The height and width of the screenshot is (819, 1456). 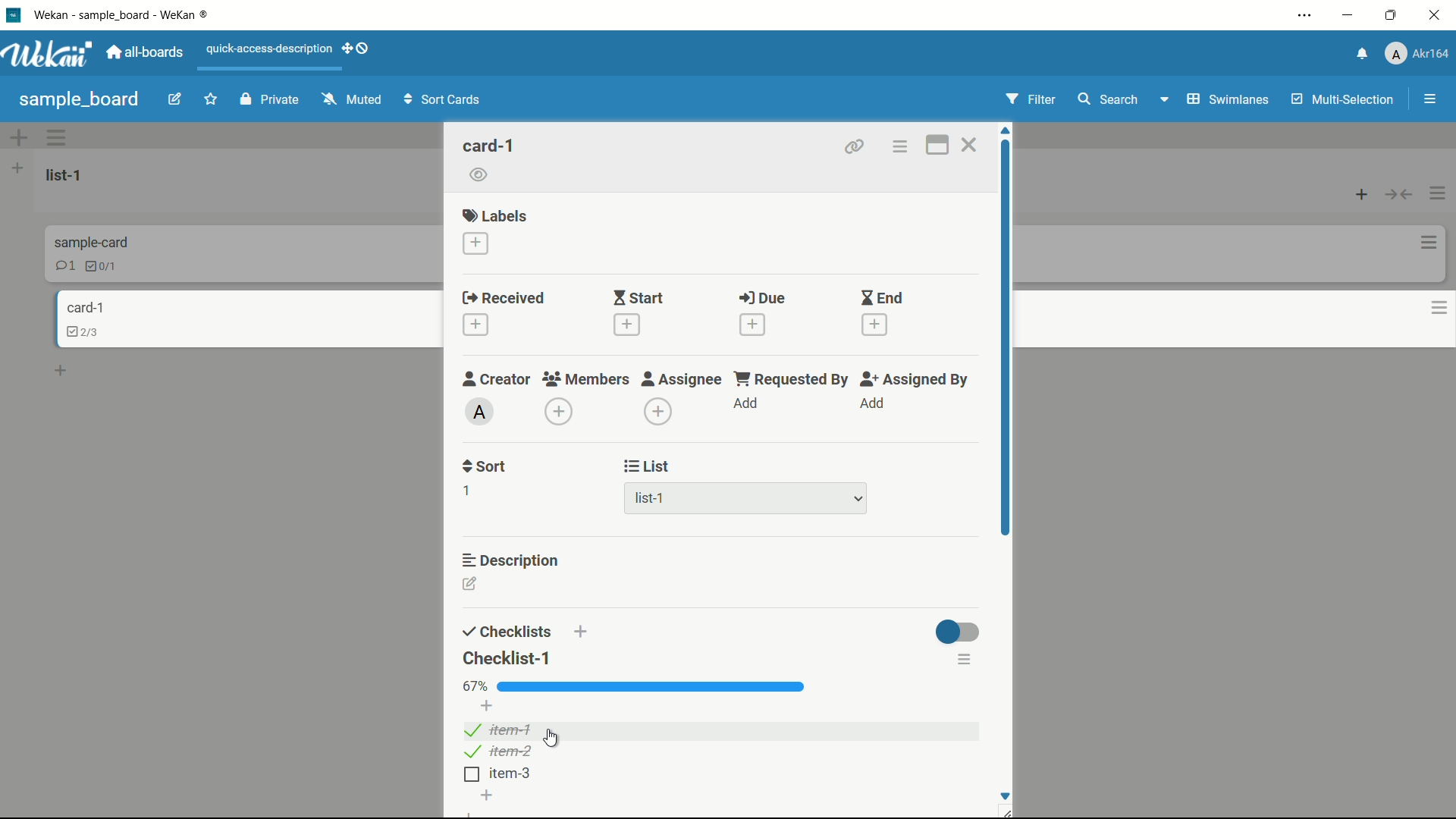 What do you see at coordinates (479, 174) in the screenshot?
I see `watch icon` at bounding box center [479, 174].